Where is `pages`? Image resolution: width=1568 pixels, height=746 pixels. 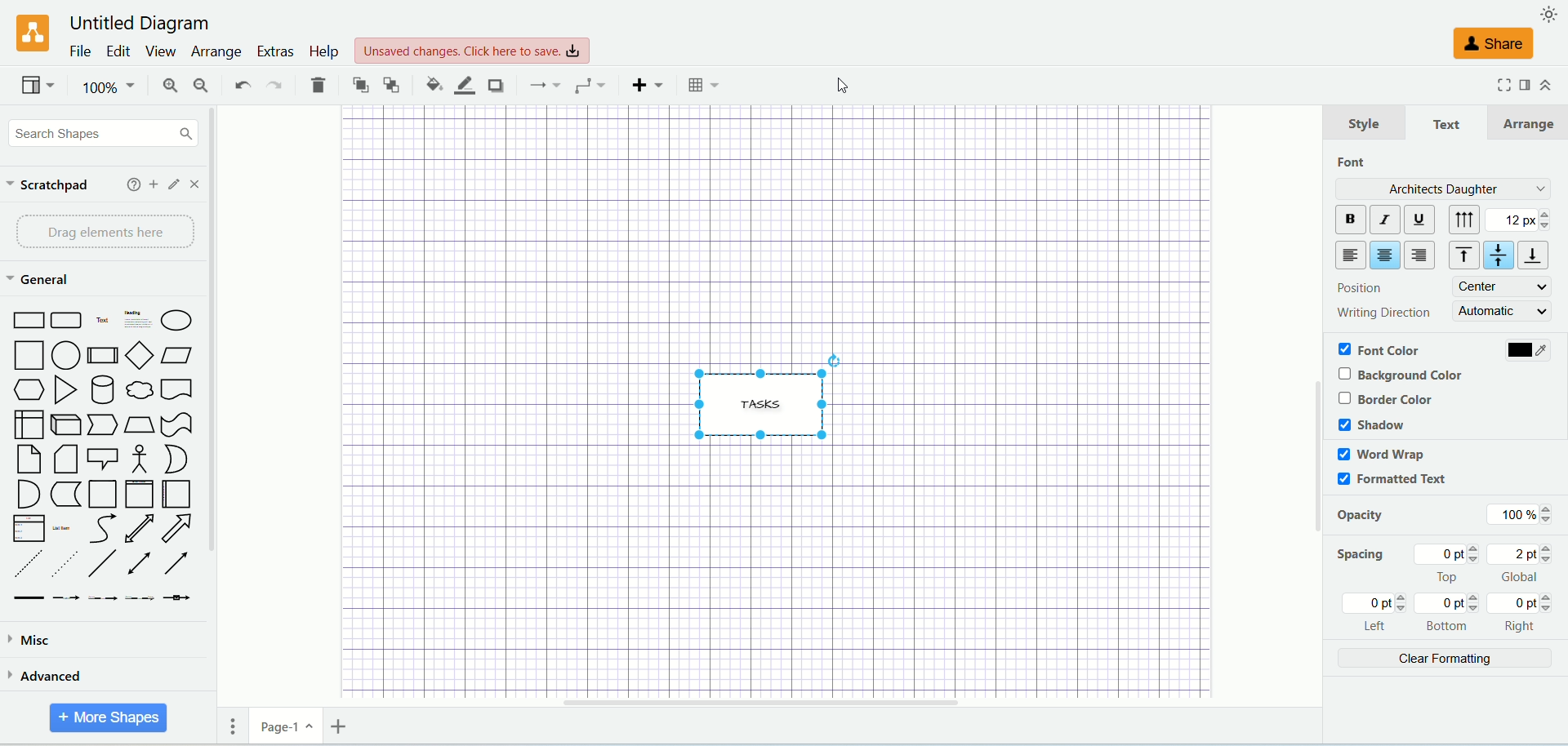
pages is located at coordinates (227, 726).